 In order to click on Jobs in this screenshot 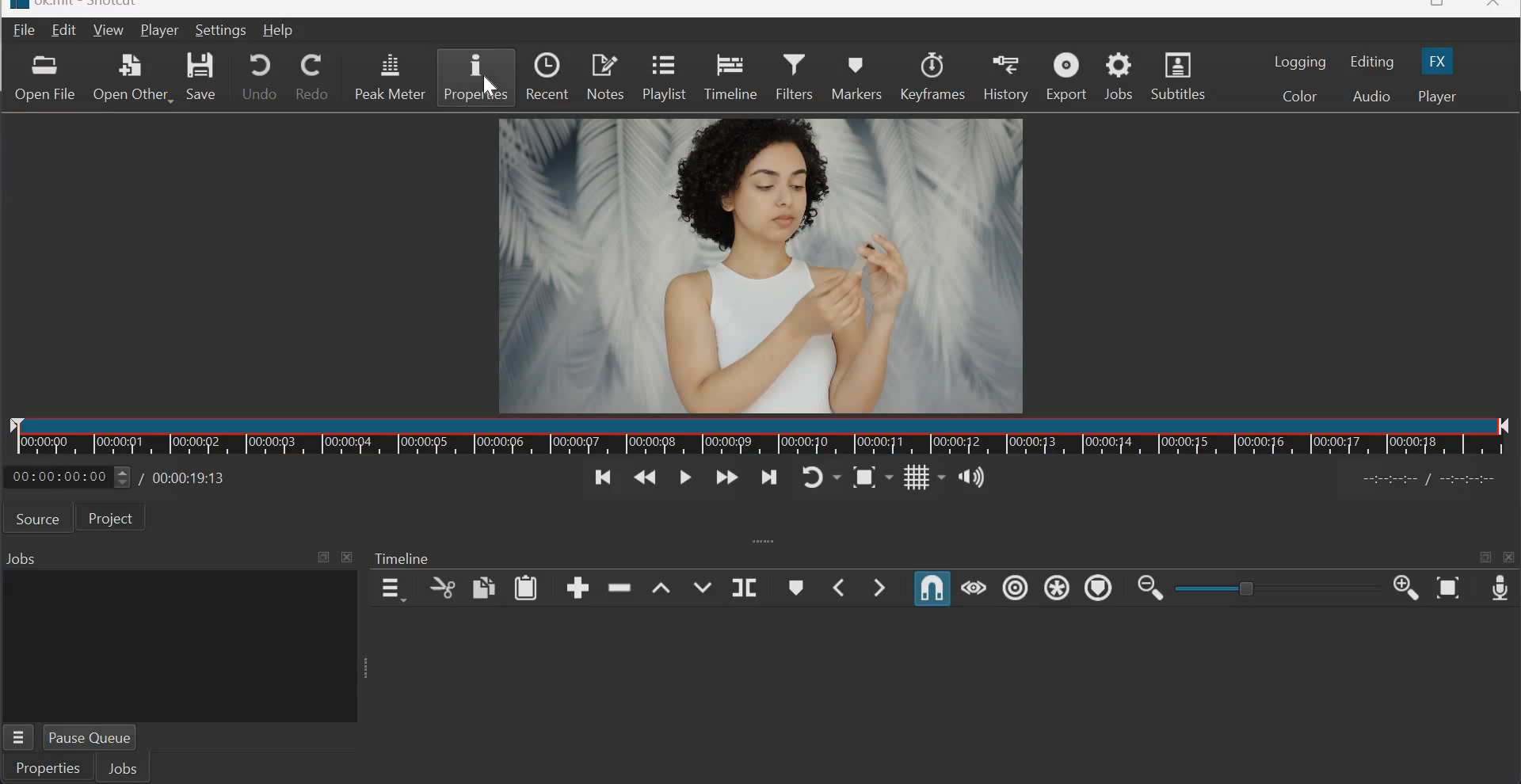, I will do `click(25, 558)`.